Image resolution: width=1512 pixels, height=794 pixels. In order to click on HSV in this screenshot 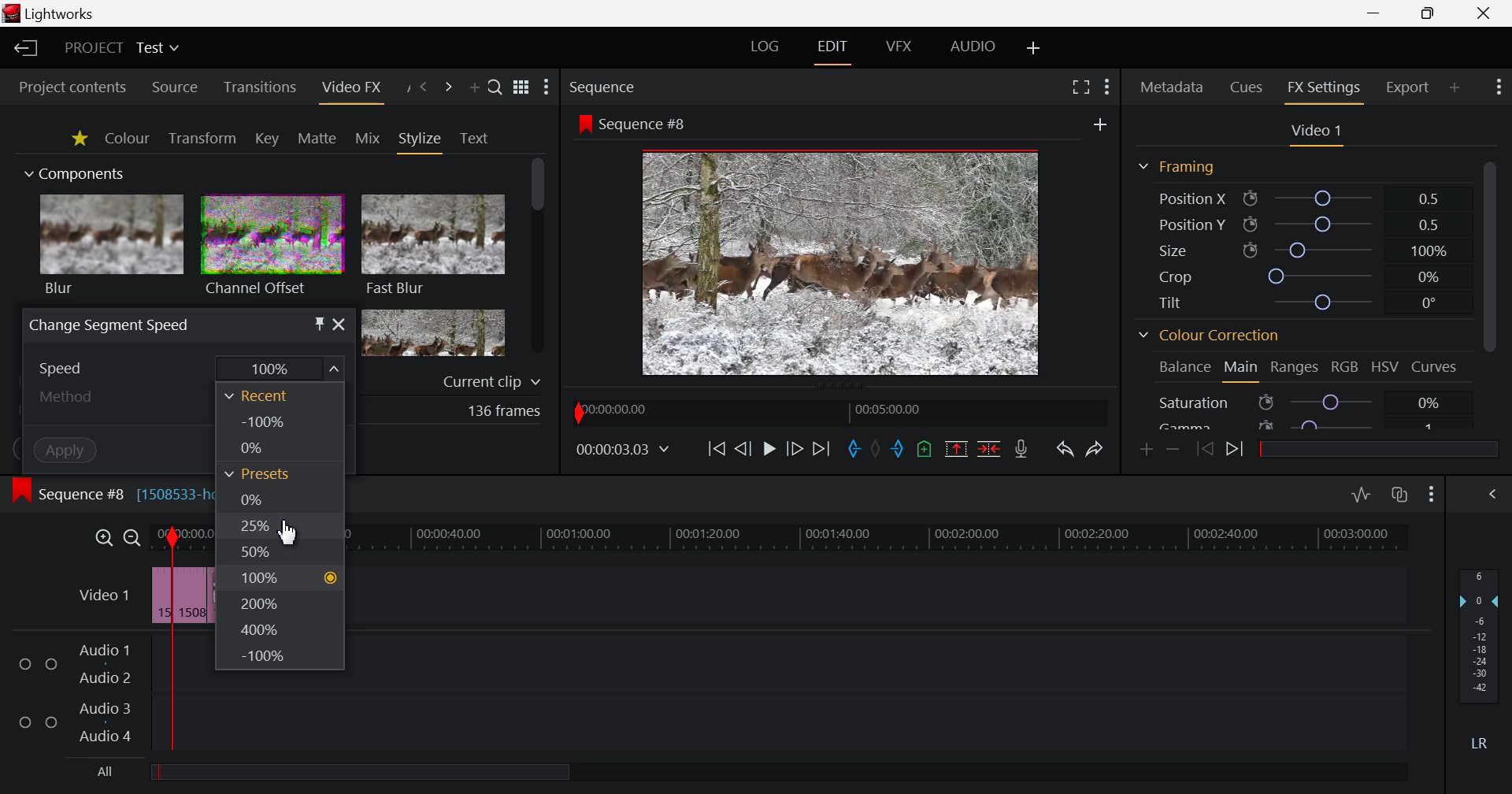, I will do `click(1388, 368)`.